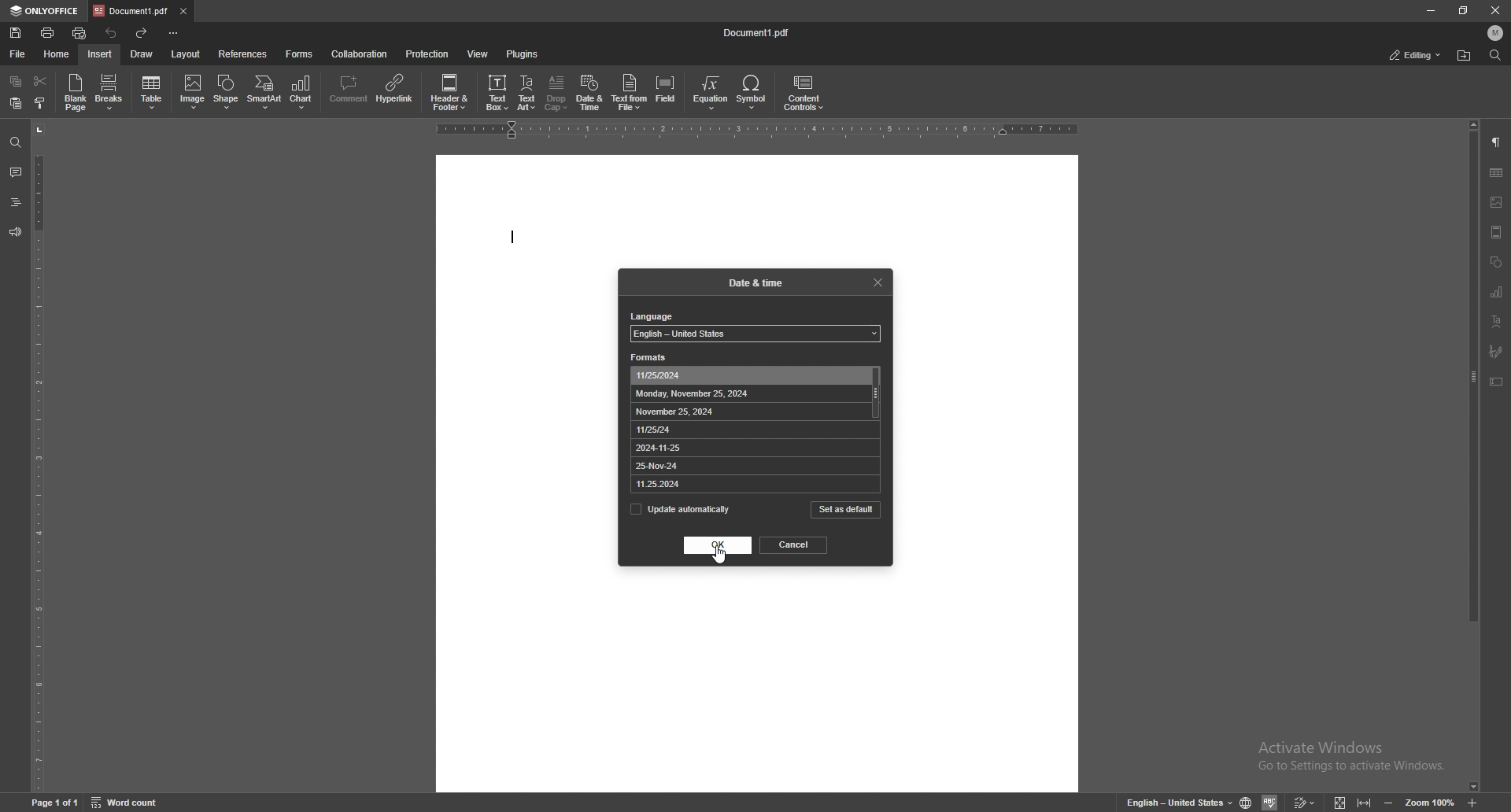 This screenshot has width=1511, height=812. What do you see at coordinates (1415, 56) in the screenshot?
I see `status` at bounding box center [1415, 56].